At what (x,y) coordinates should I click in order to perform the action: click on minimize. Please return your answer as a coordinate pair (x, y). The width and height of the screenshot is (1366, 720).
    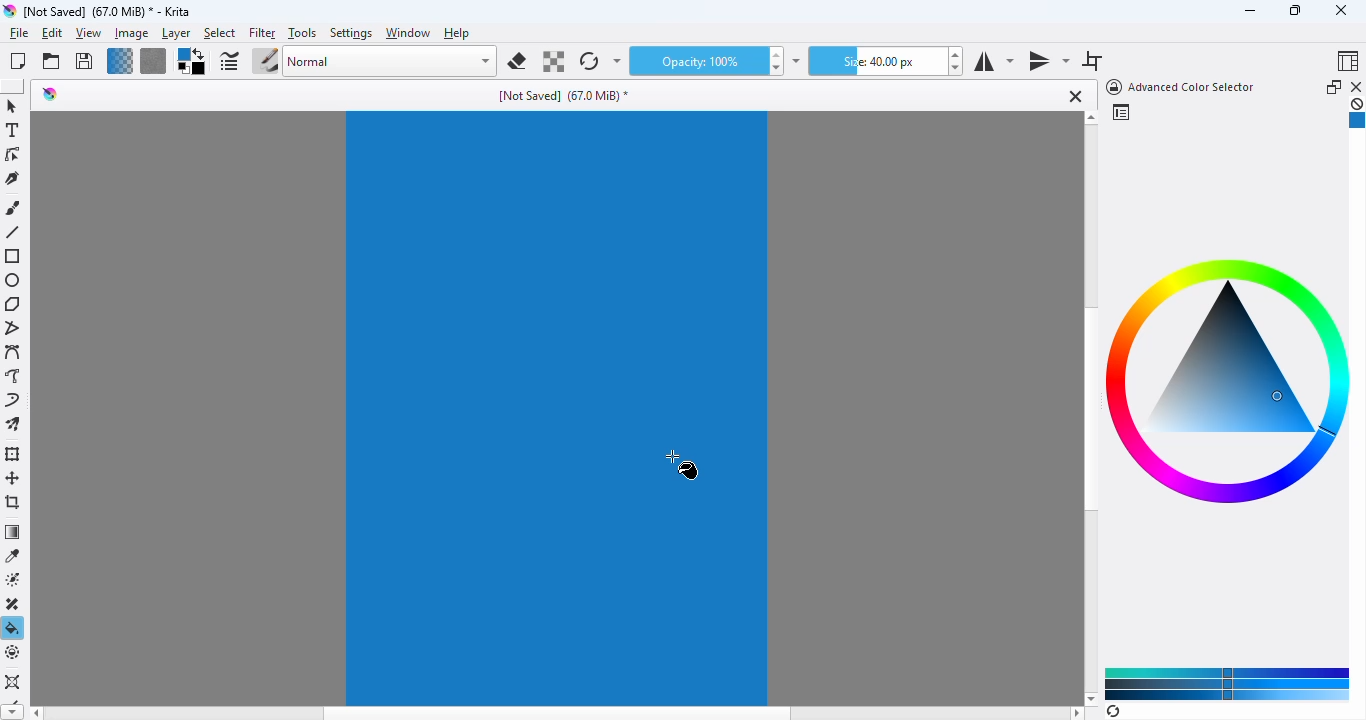
    Looking at the image, I should click on (1250, 11).